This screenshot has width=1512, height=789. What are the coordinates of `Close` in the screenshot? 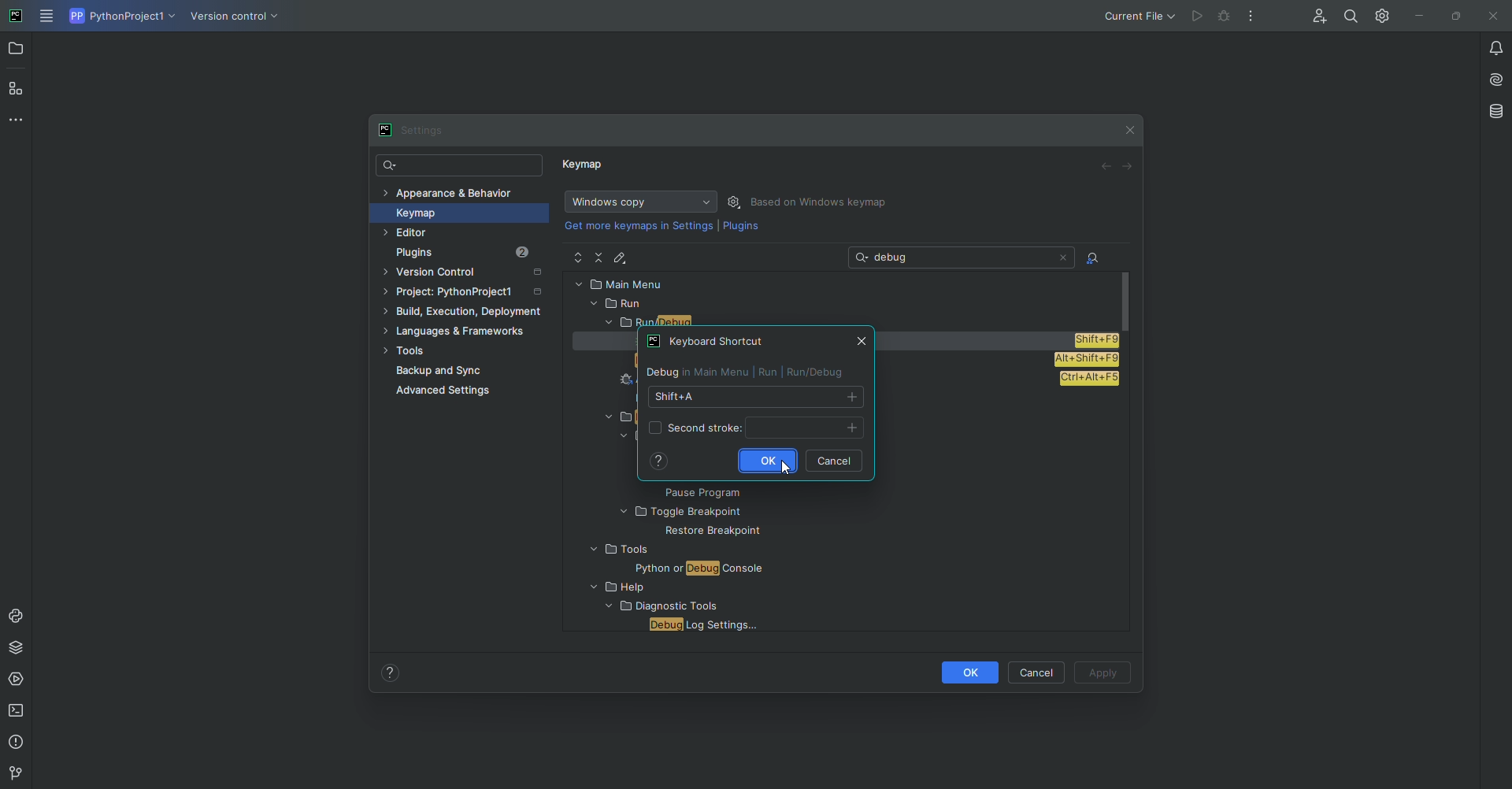 It's located at (1131, 127).